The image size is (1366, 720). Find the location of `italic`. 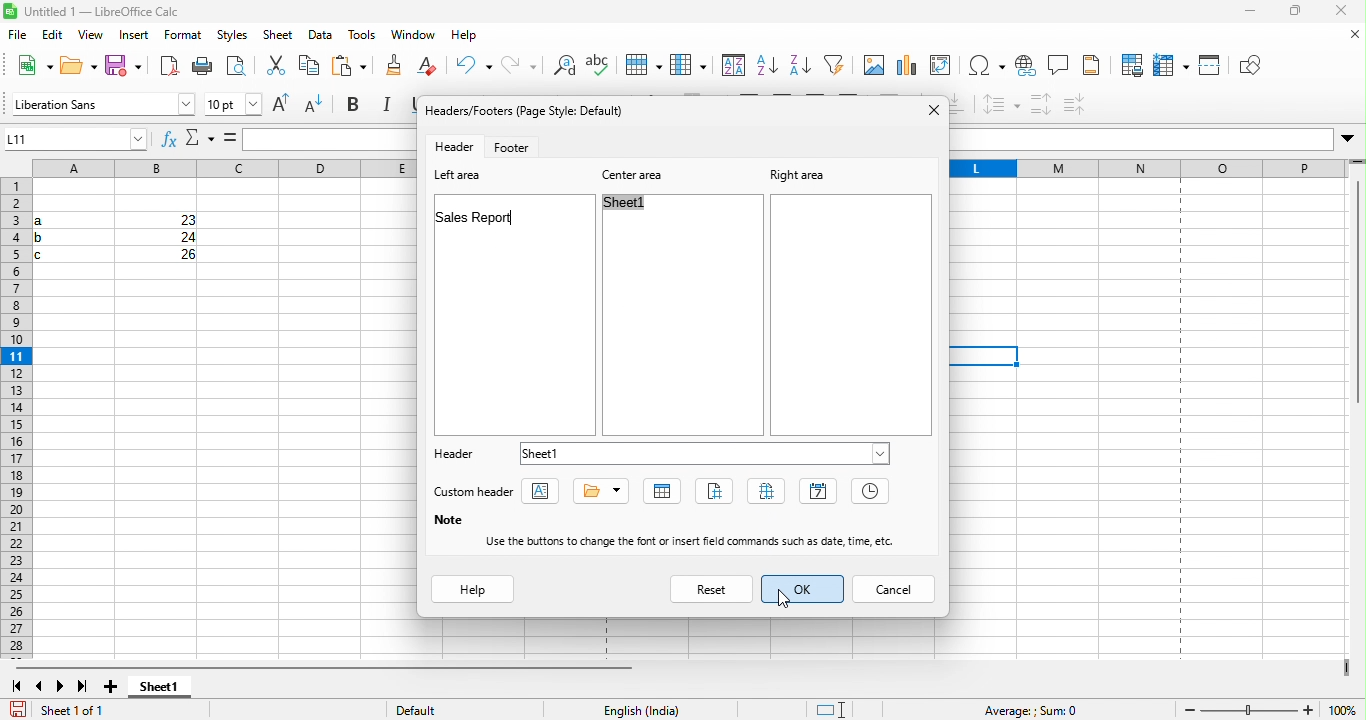

italic is located at coordinates (391, 106).